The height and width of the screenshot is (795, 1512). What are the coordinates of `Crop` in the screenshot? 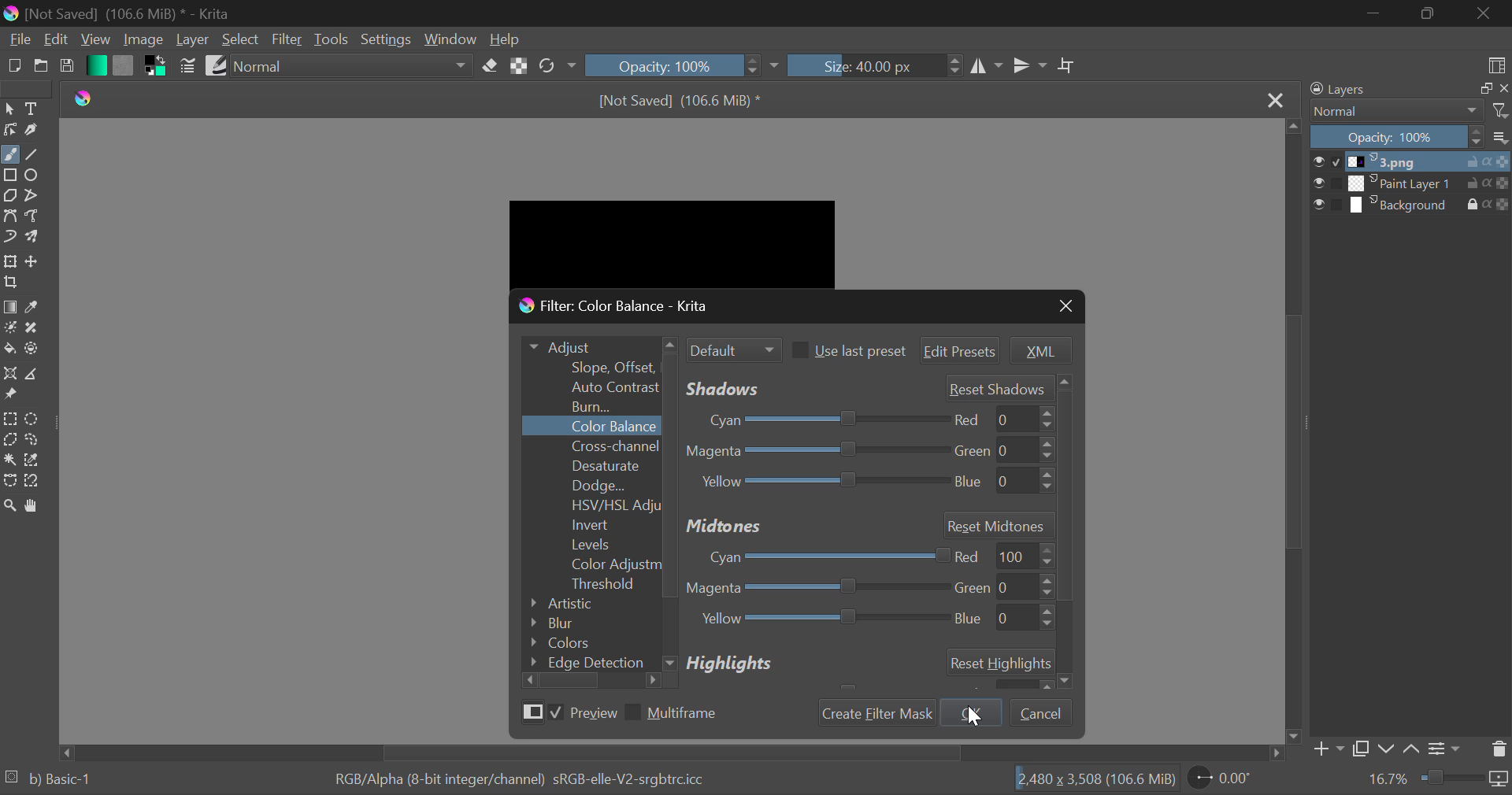 It's located at (1065, 65).